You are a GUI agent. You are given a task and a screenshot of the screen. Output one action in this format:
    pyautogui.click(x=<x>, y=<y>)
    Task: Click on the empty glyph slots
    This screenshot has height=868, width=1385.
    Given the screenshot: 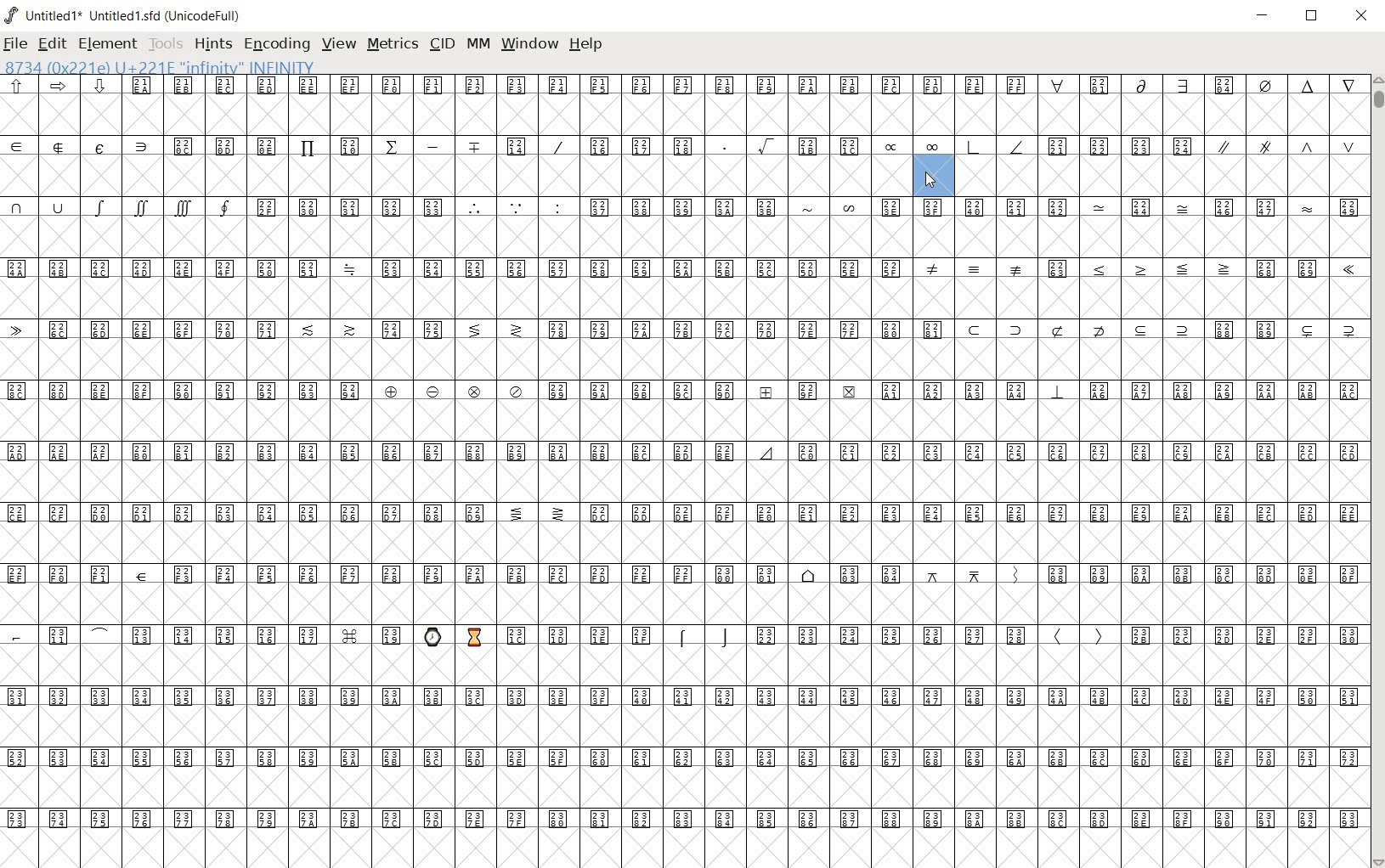 What is the action you would take?
    pyautogui.click(x=684, y=482)
    